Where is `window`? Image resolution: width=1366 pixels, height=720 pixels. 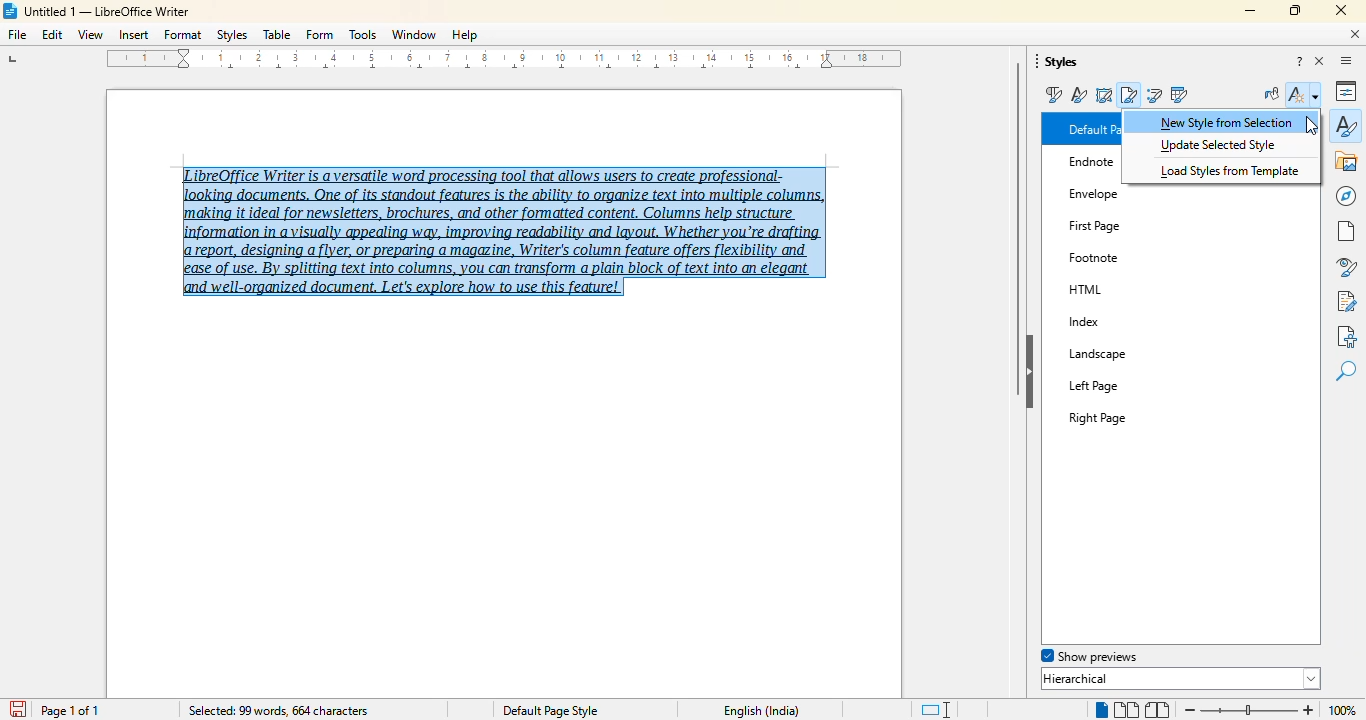 window is located at coordinates (415, 34).